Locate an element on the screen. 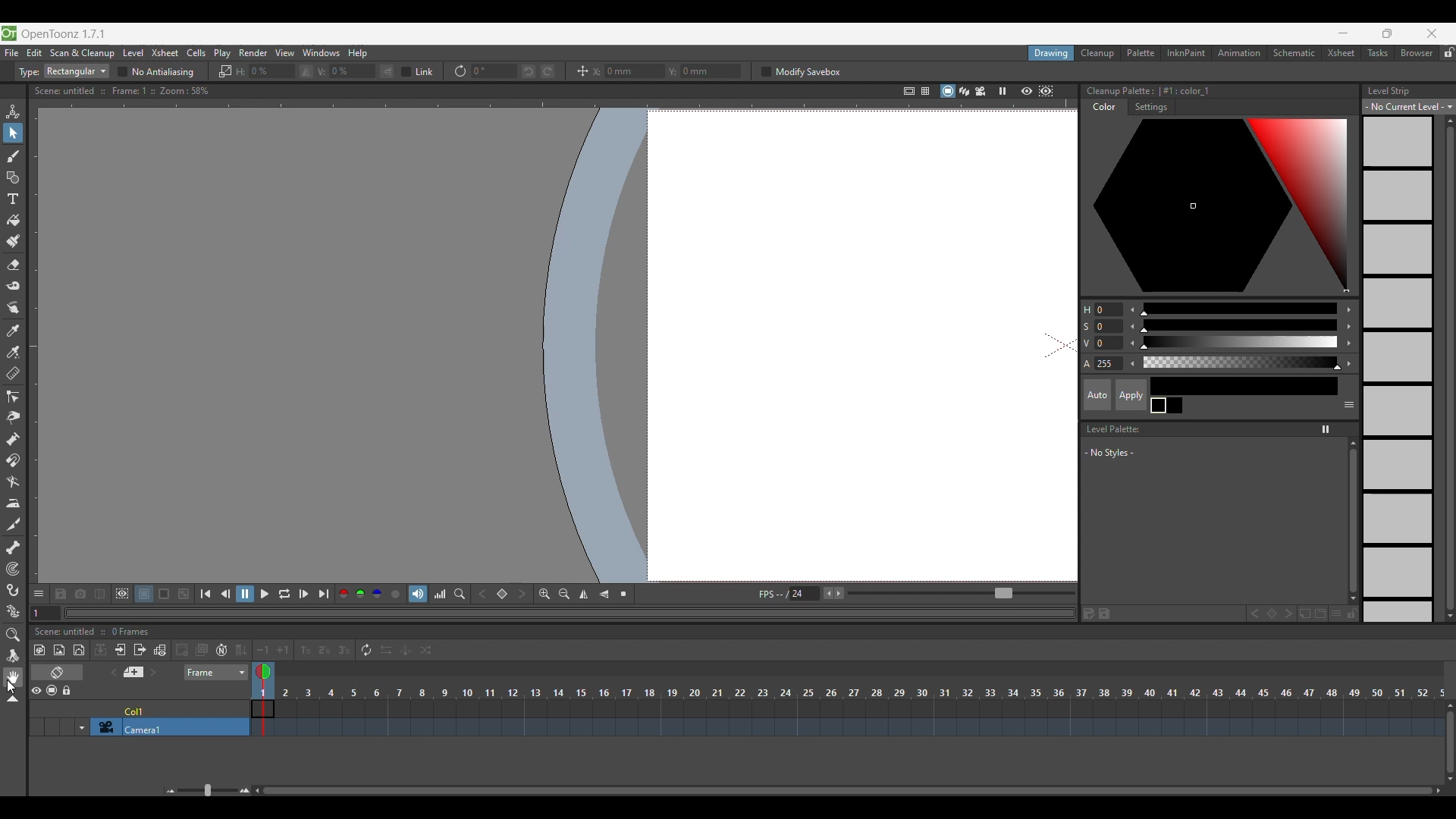  Rotate selection left is located at coordinates (529, 71).